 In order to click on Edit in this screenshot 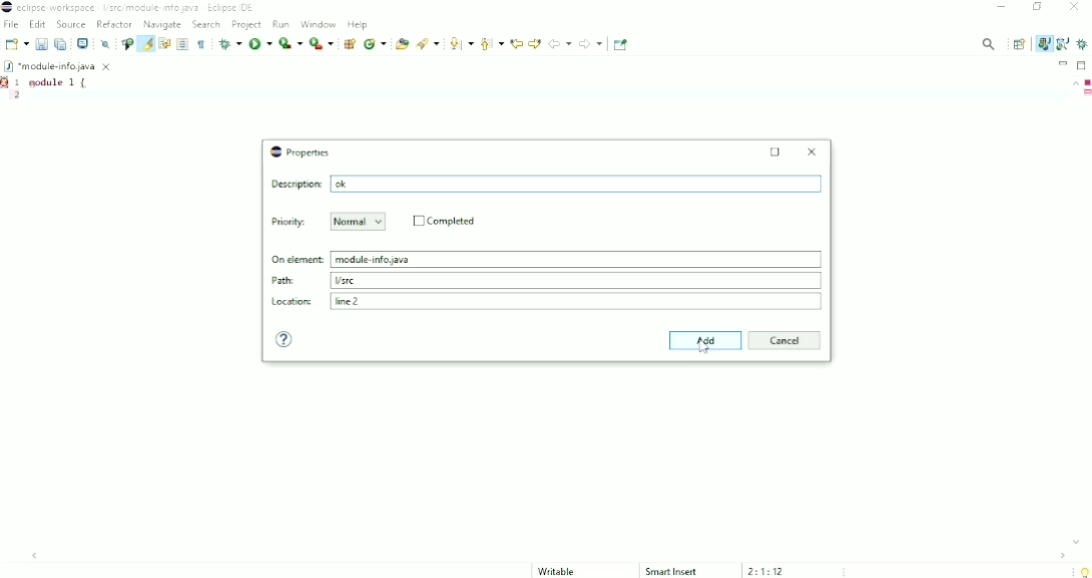, I will do `click(38, 24)`.